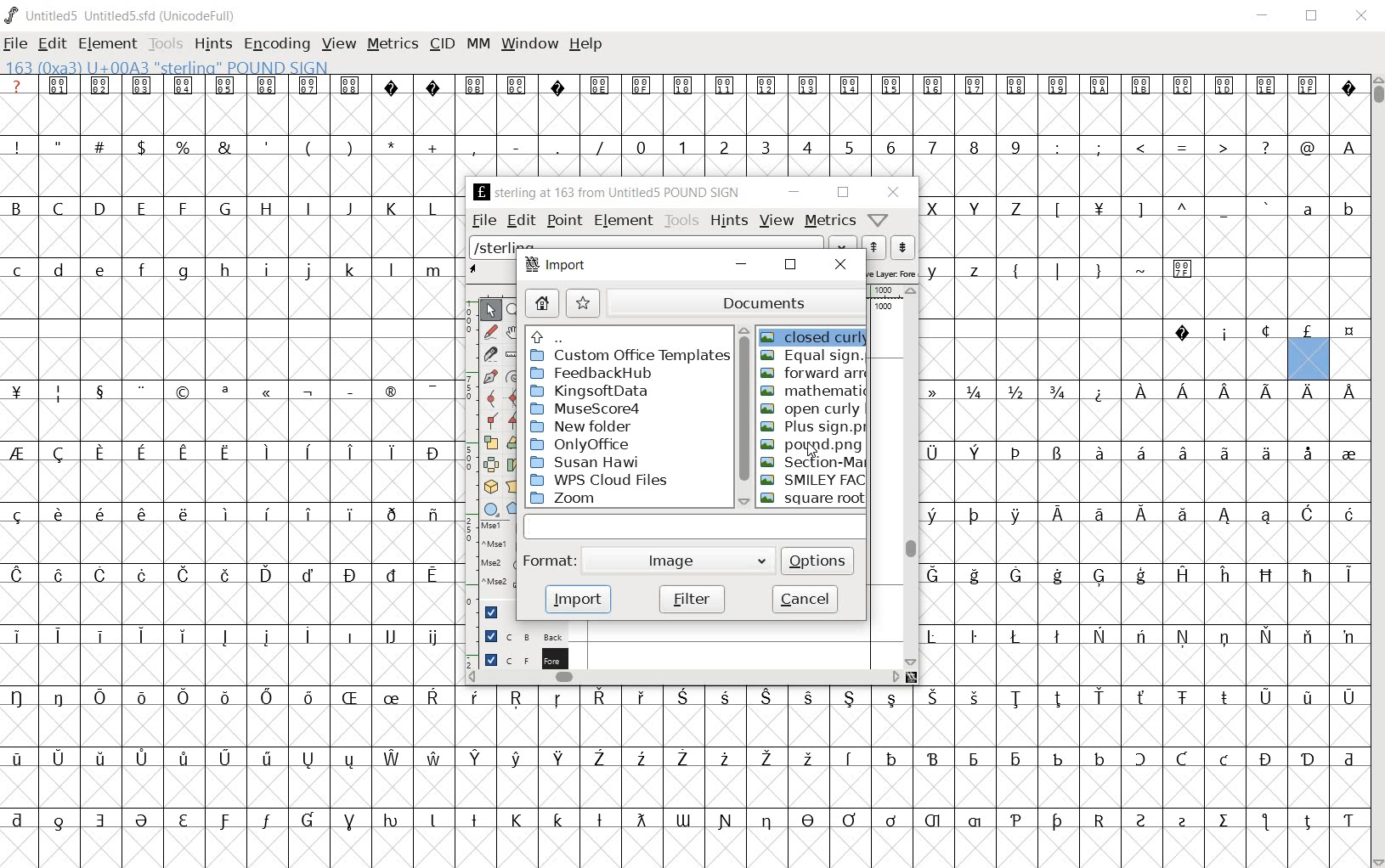 This screenshot has width=1385, height=868. What do you see at coordinates (433, 85) in the screenshot?
I see `Symbol` at bounding box center [433, 85].